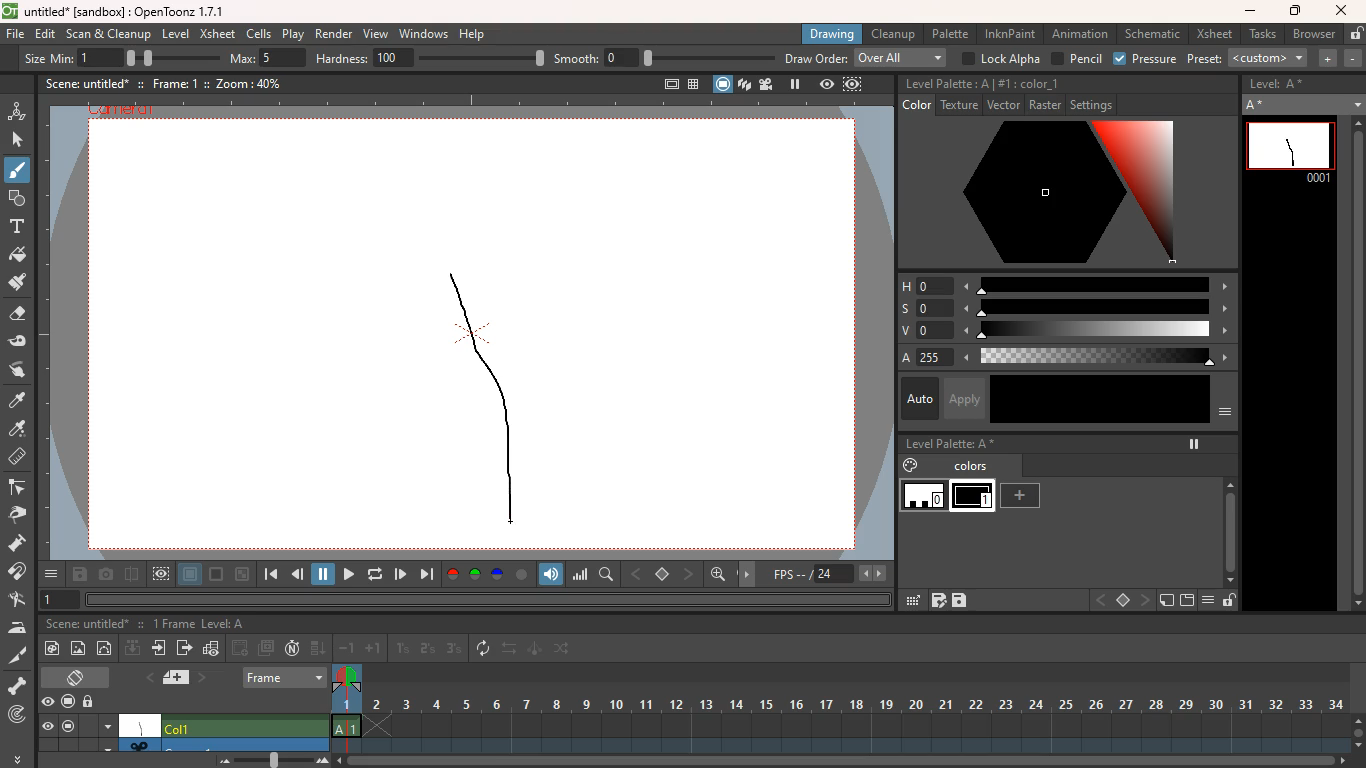  Describe the element at coordinates (92, 701) in the screenshot. I see `unlock` at that location.